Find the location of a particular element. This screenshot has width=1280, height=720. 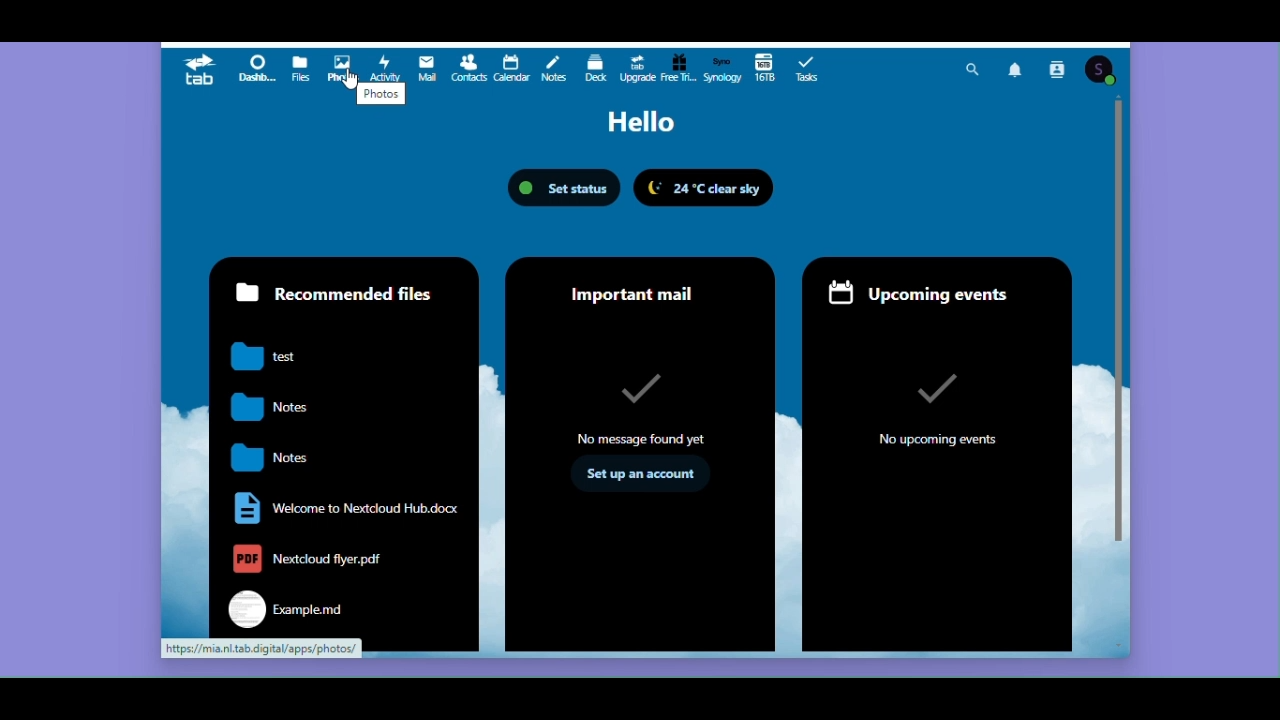

Calendar is located at coordinates (510, 67).